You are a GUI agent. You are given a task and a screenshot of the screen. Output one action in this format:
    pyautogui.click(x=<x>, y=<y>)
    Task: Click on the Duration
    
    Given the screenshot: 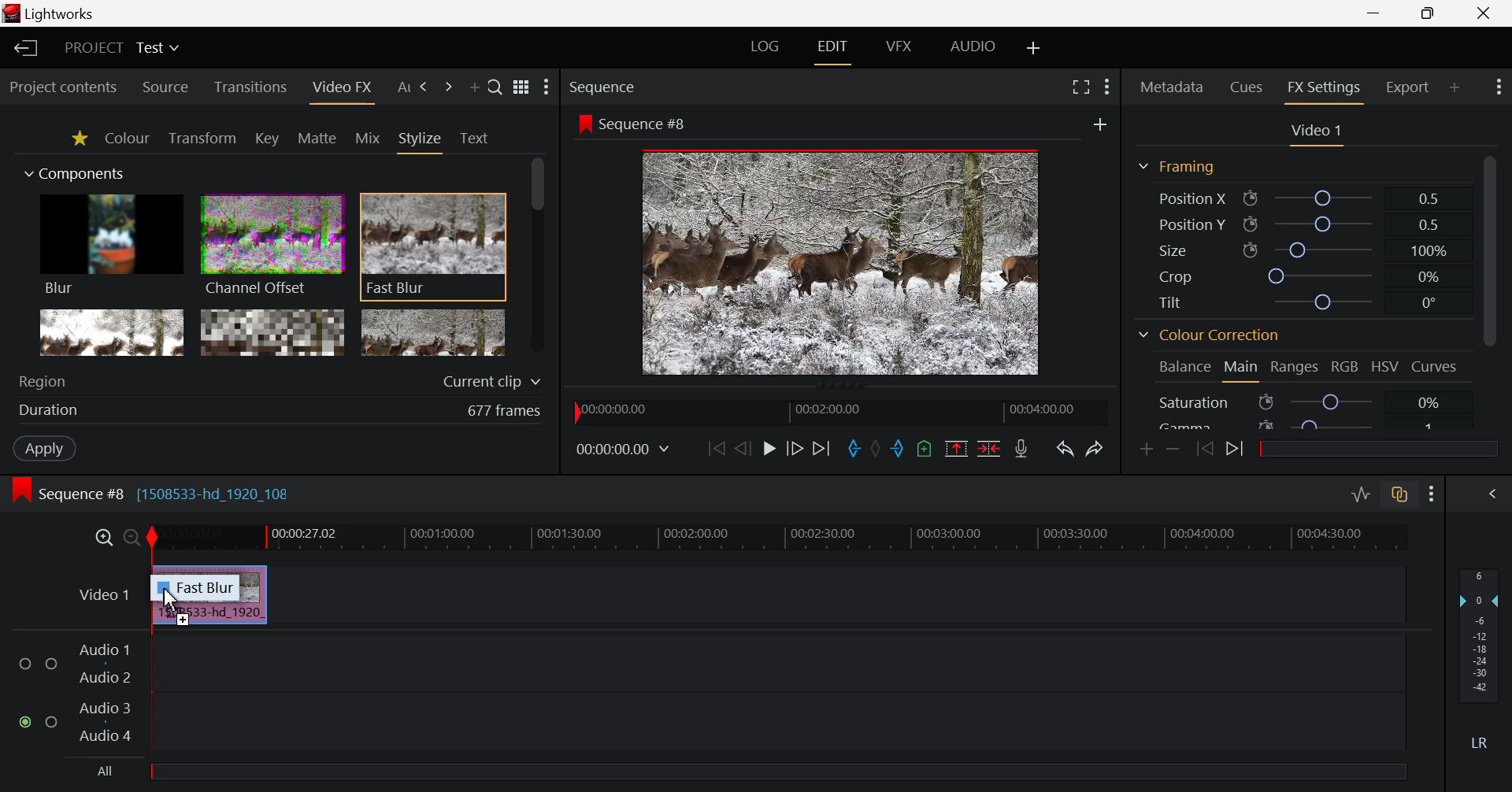 What is the action you would take?
    pyautogui.click(x=283, y=409)
    